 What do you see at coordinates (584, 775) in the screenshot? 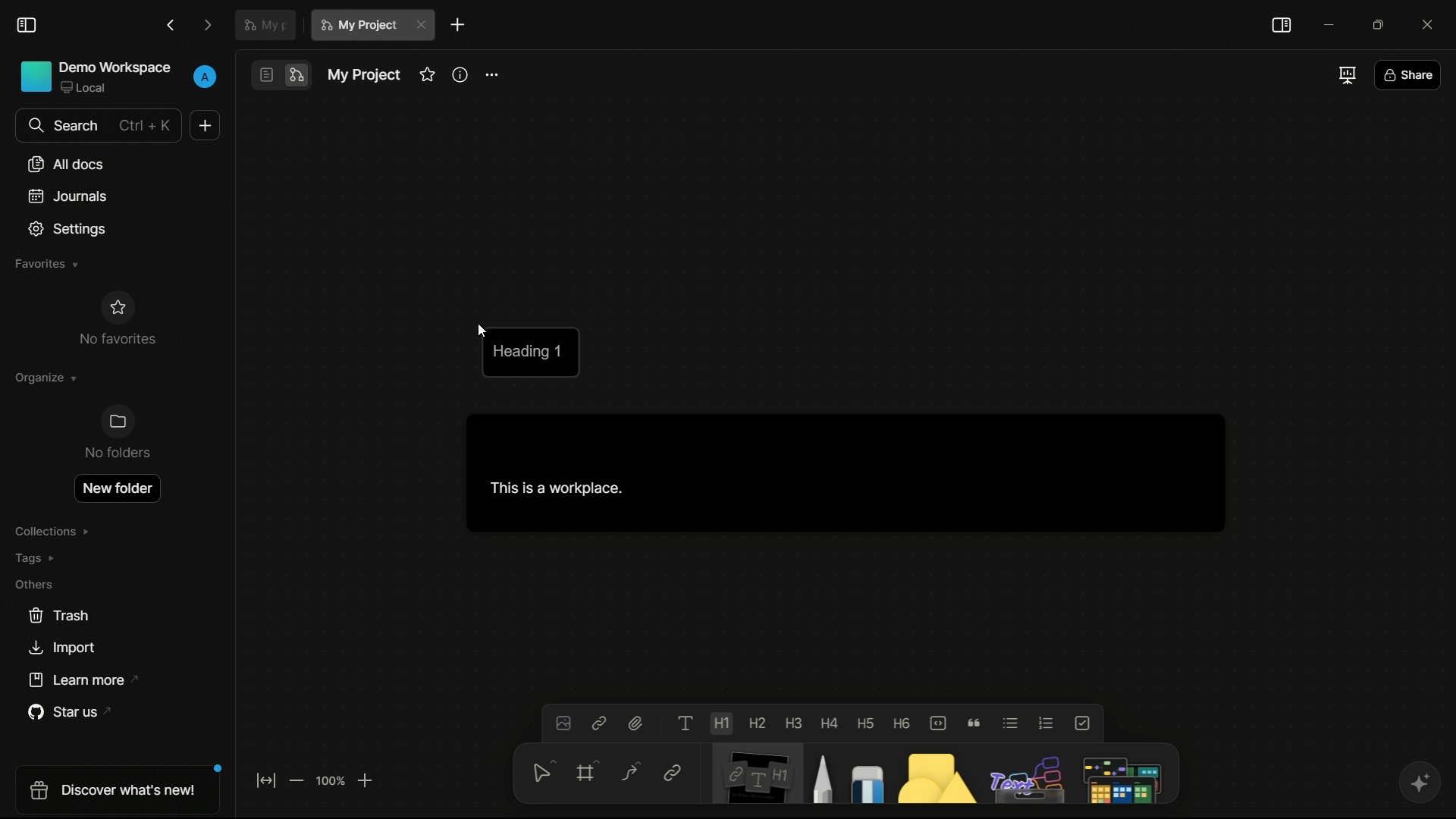
I see `frame` at bounding box center [584, 775].